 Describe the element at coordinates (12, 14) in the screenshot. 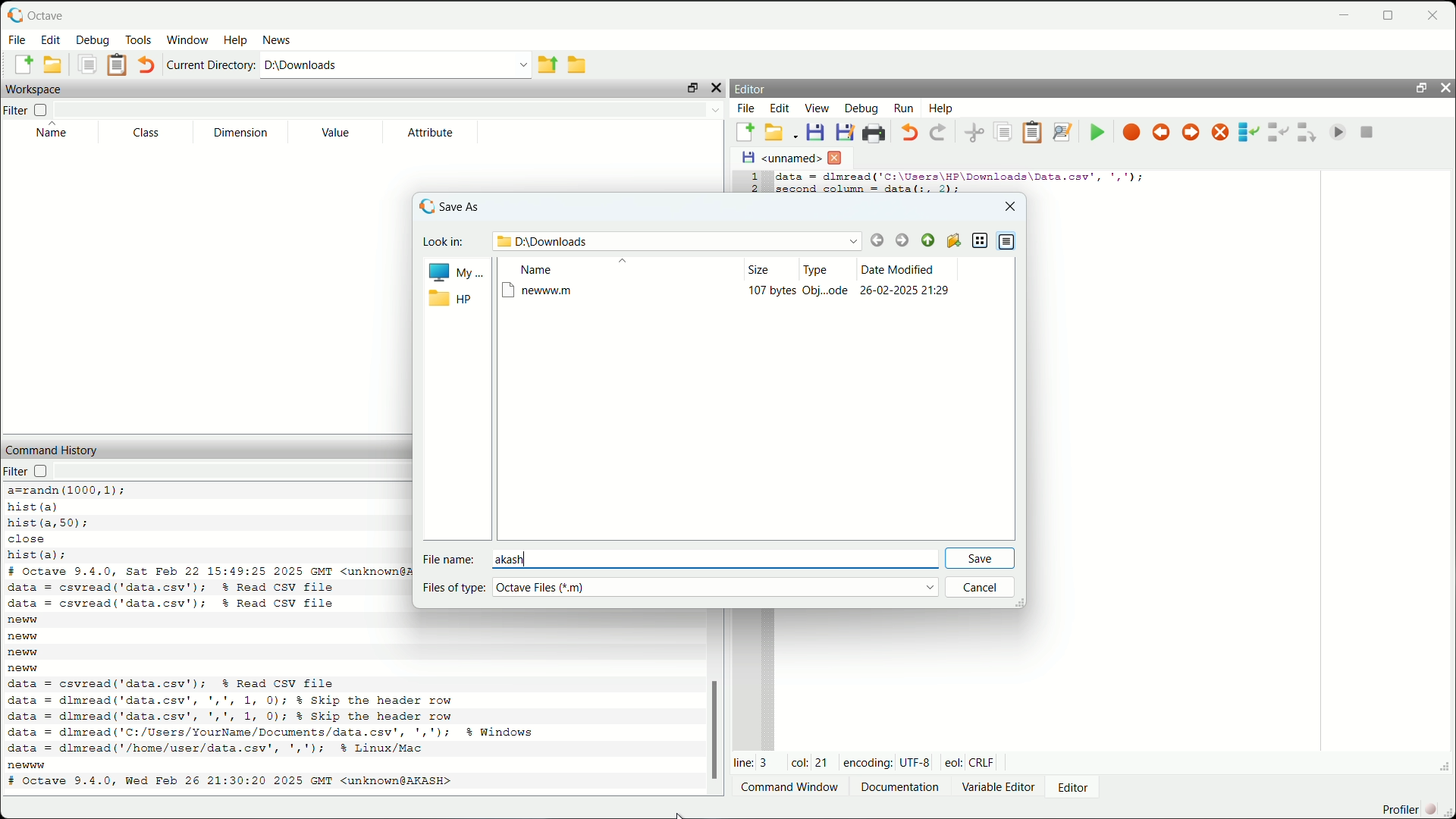

I see `logo` at that location.